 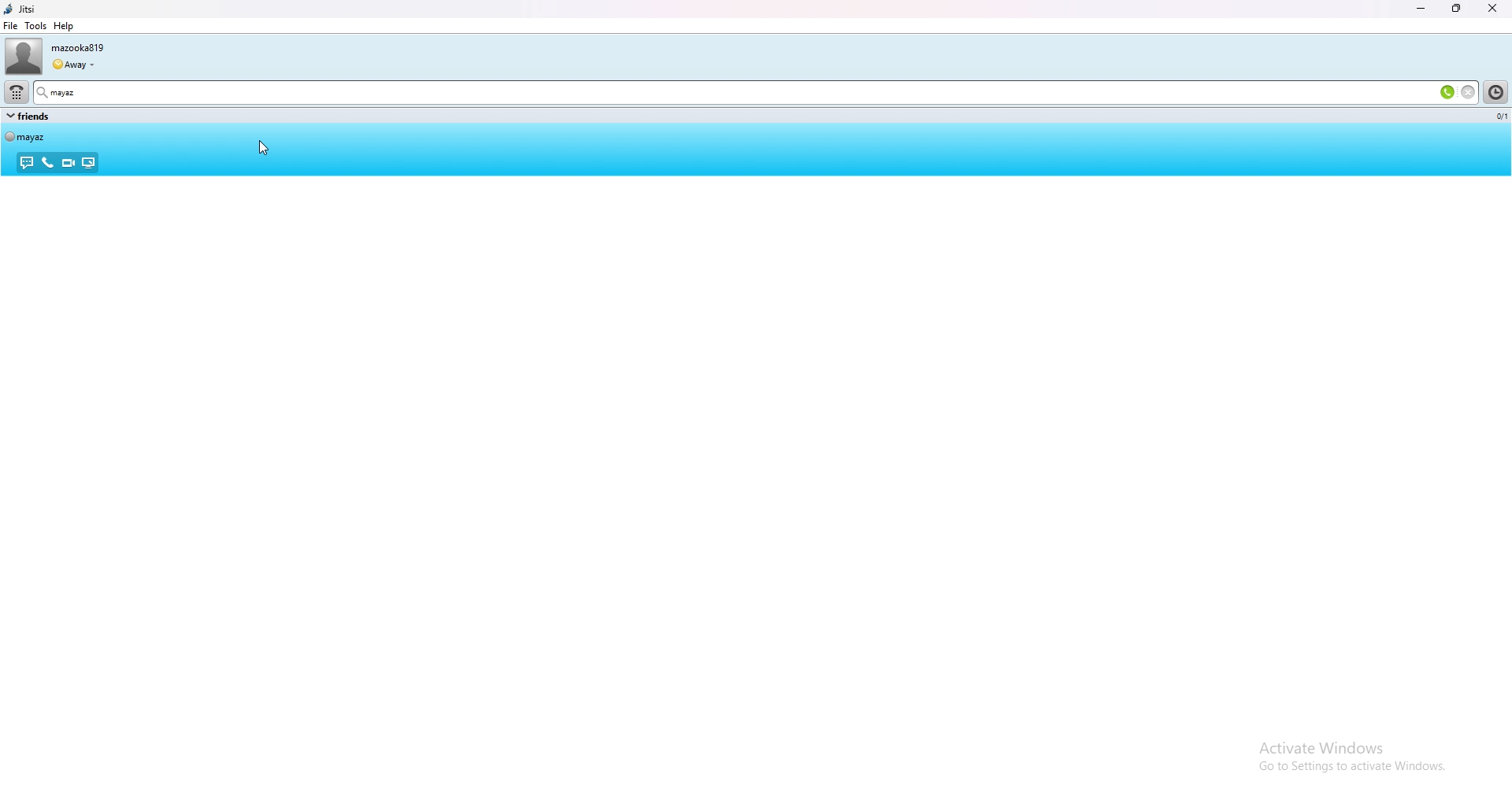 I want to click on mazooka819, so click(x=88, y=46).